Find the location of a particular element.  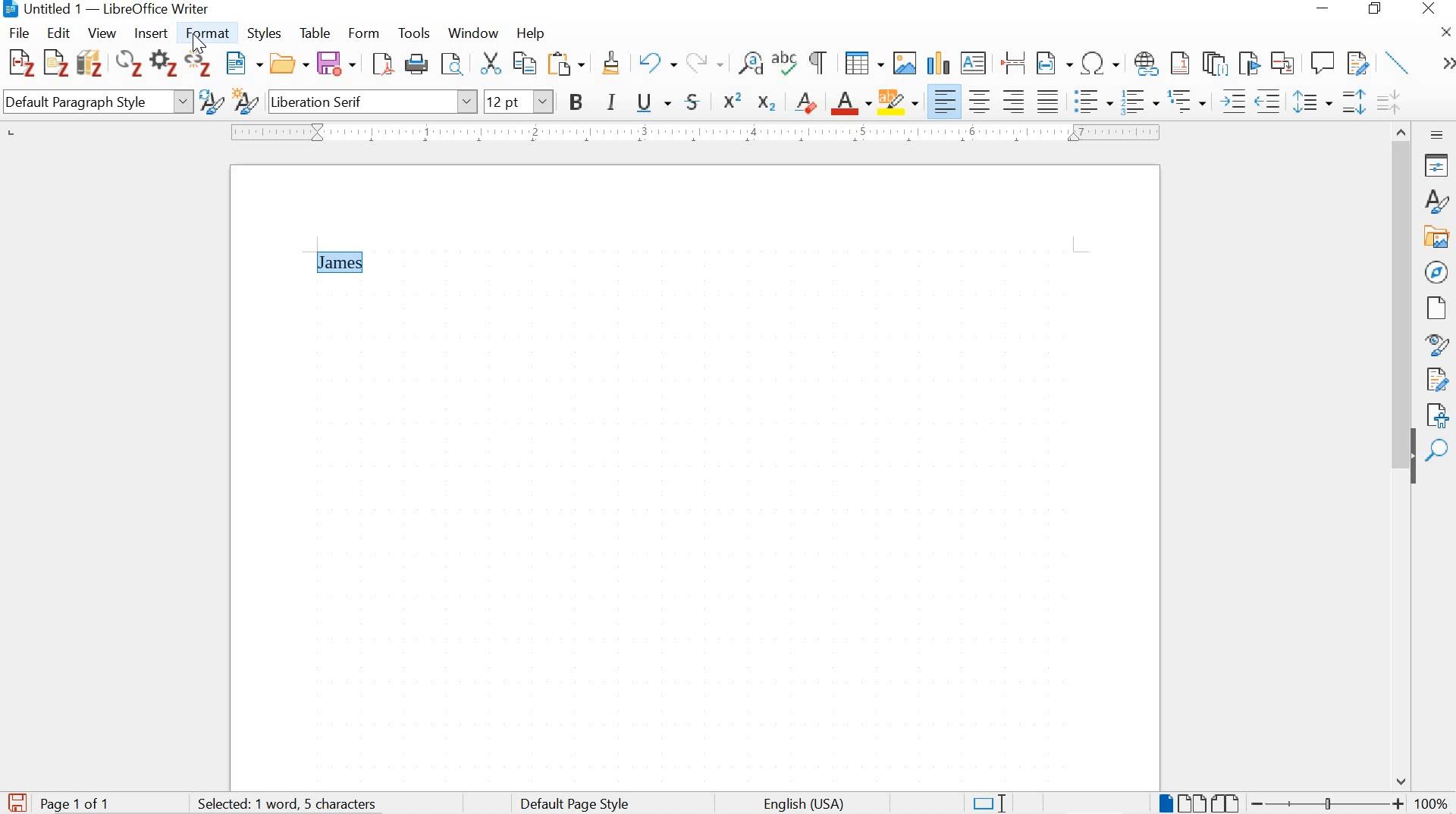

cut is located at coordinates (490, 65).